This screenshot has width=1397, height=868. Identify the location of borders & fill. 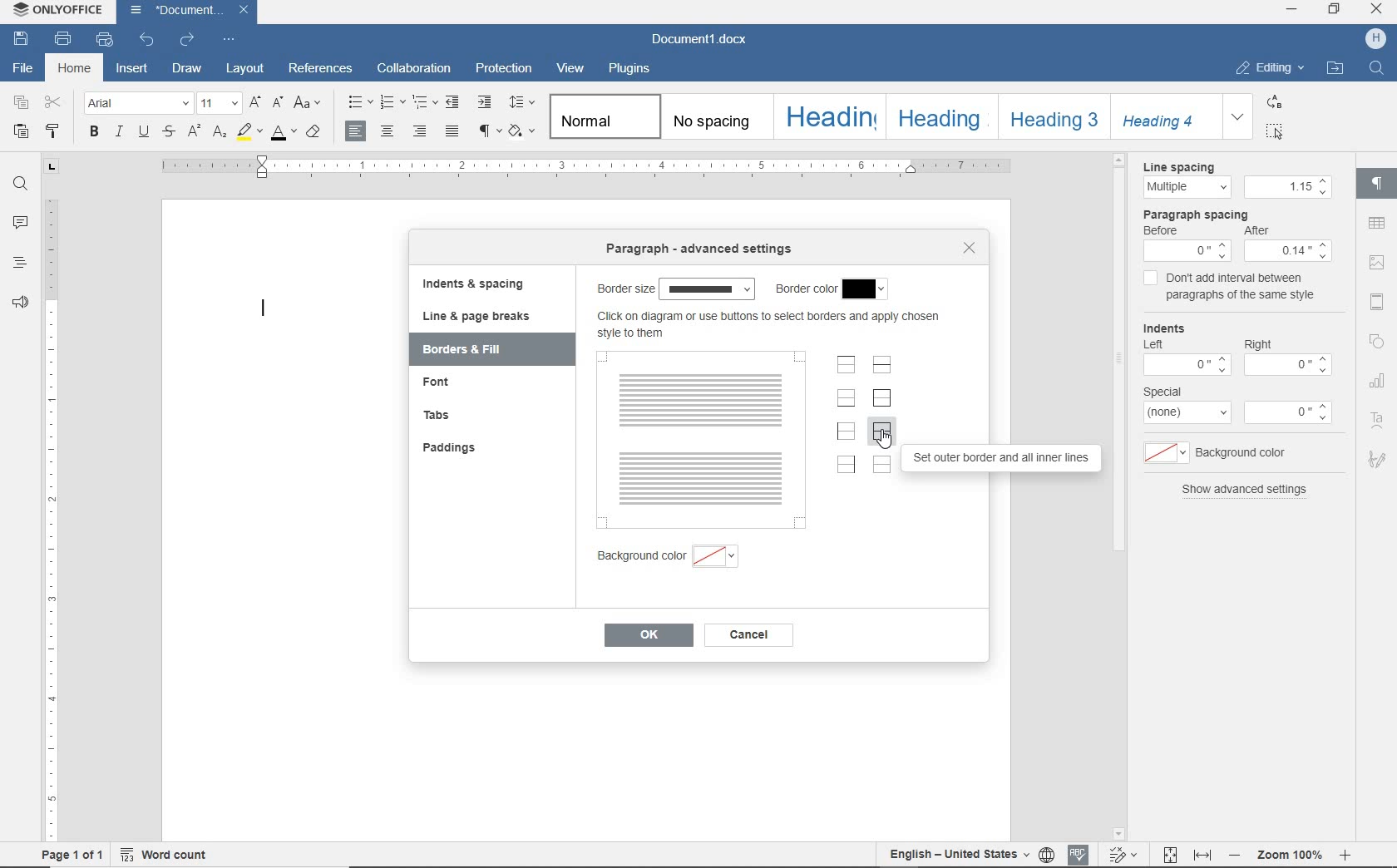
(475, 350).